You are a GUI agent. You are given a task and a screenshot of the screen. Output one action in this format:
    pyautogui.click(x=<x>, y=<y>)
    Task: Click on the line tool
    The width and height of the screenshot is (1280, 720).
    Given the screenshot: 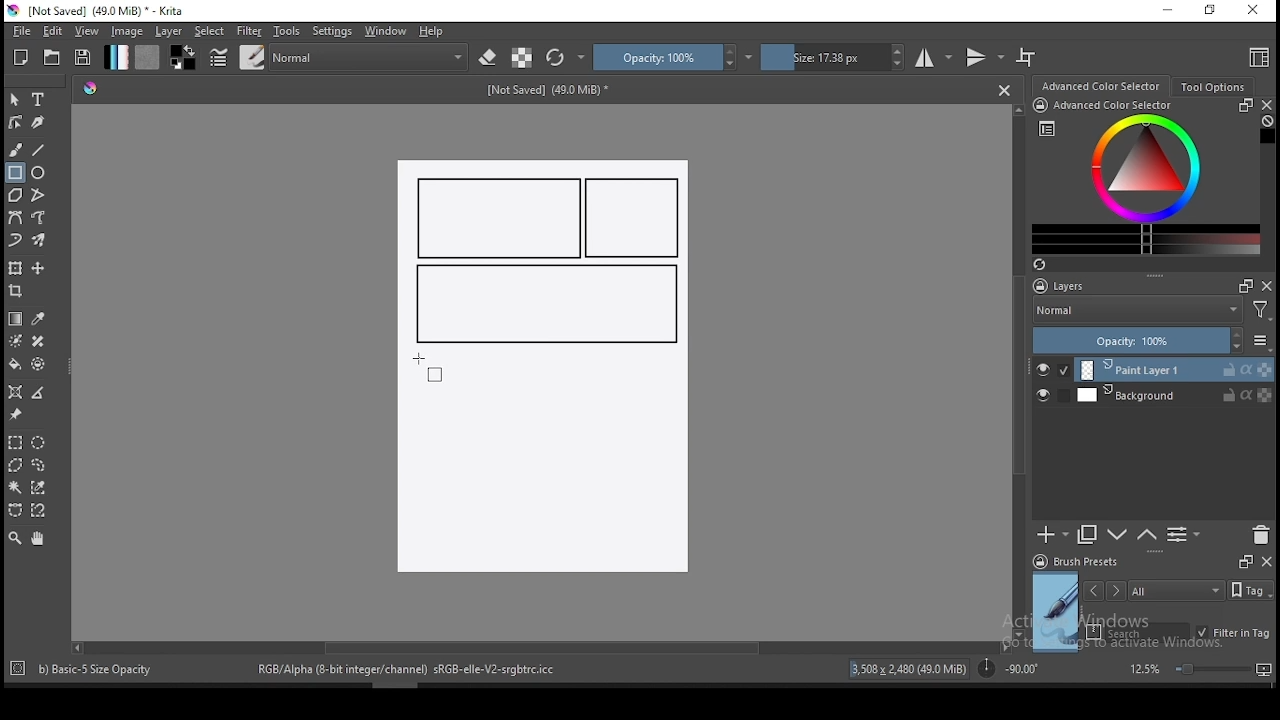 What is the action you would take?
    pyautogui.click(x=39, y=150)
    